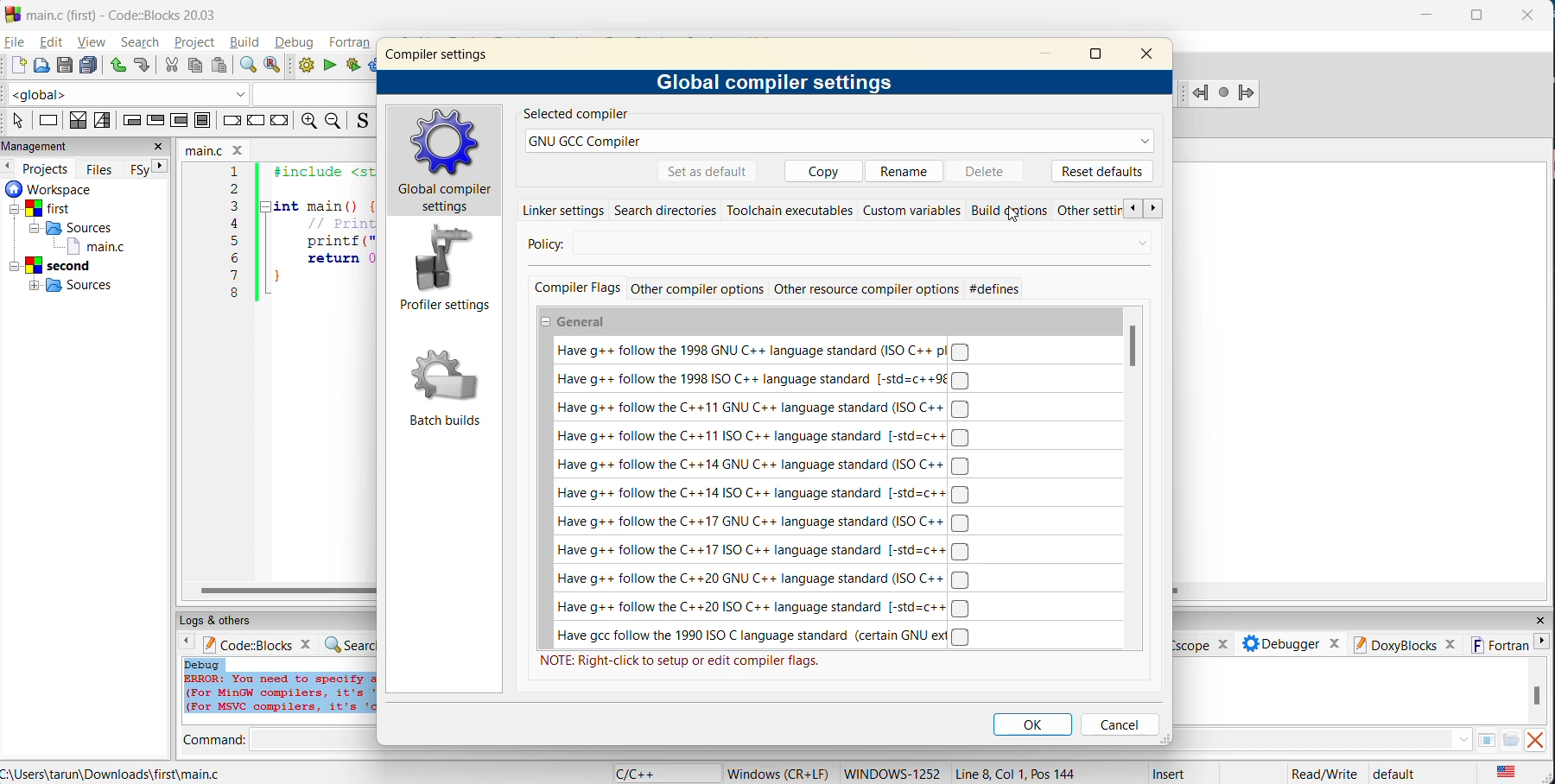  What do you see at coordinates (155, 121) in the screenshot?
I see `exit condition loop` at bounding box center [155, 121].